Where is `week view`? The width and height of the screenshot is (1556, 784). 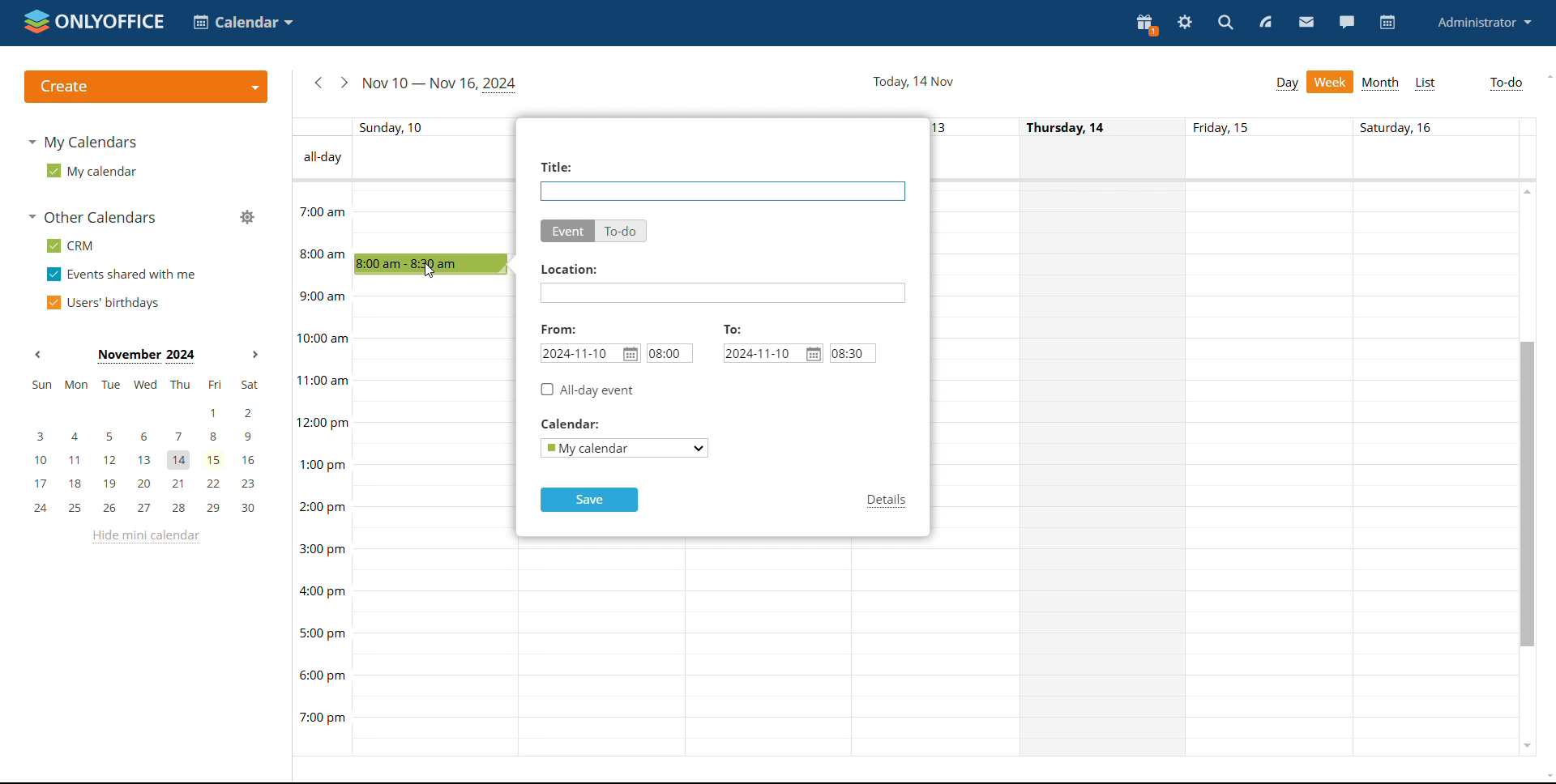
week view is located at coordinates (1332, 82).